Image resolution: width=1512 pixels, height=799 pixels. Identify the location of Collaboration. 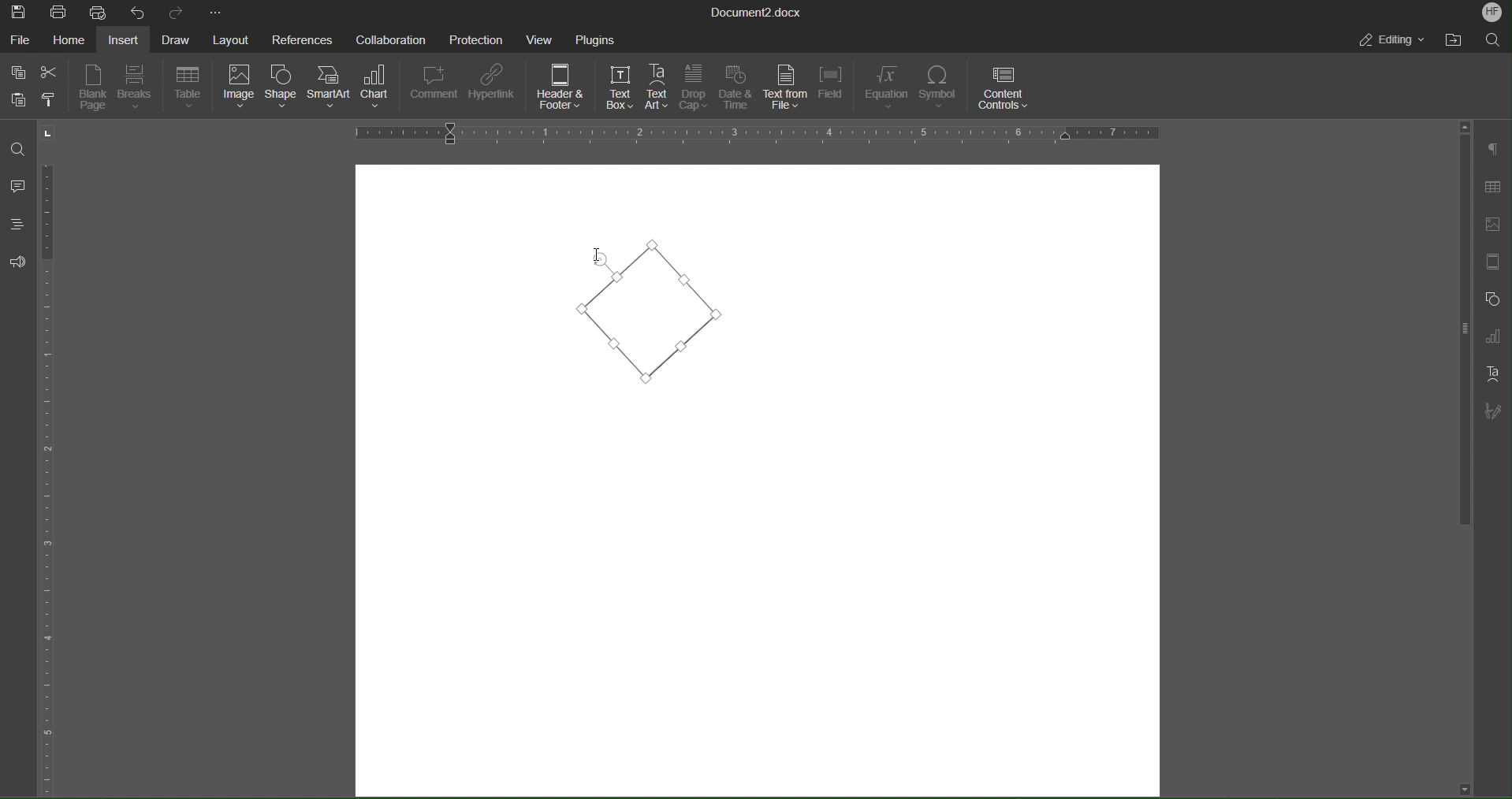
(389, 38).